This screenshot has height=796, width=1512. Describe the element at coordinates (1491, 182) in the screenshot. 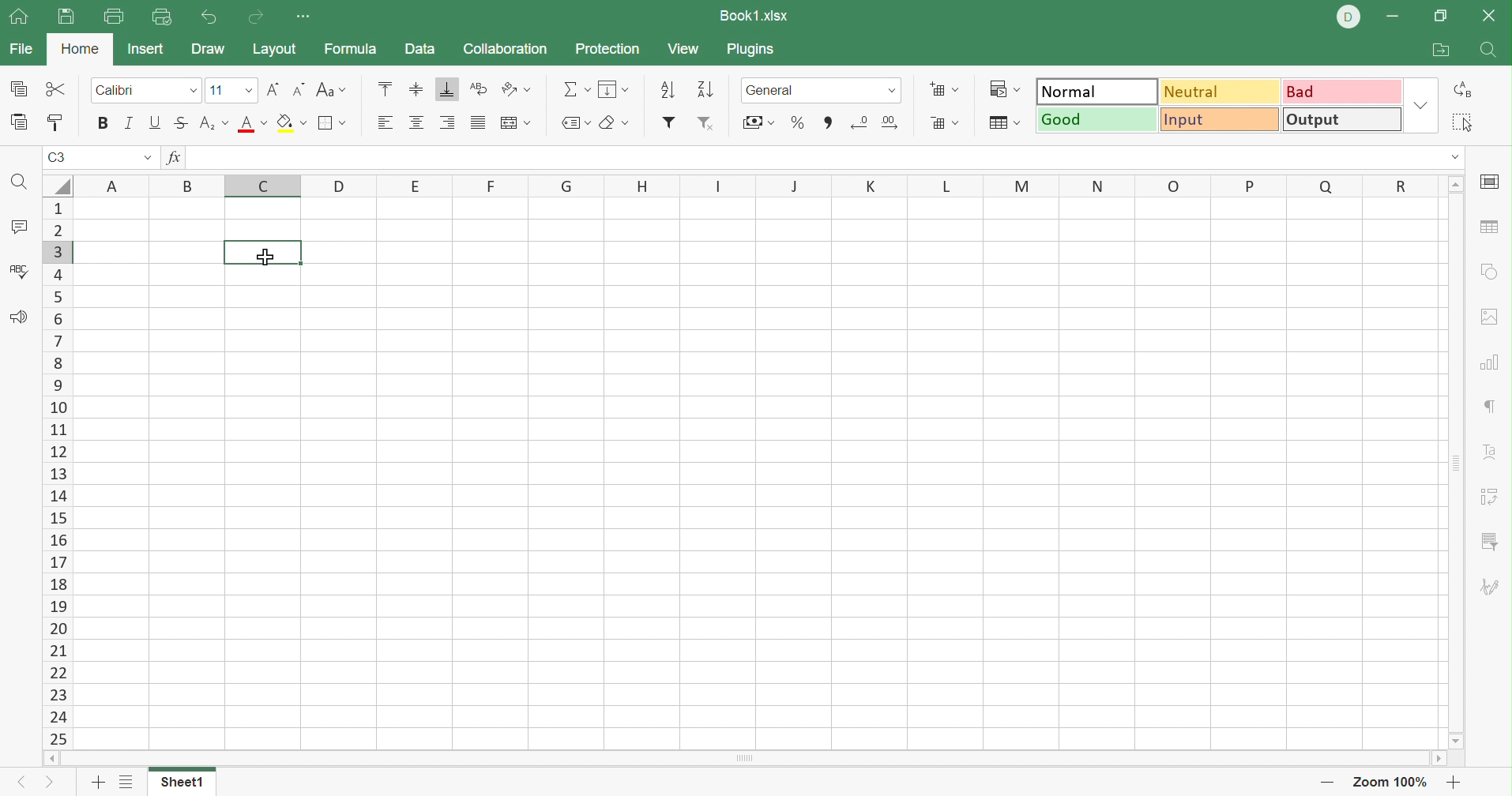

I see `Cell settings` at that location.